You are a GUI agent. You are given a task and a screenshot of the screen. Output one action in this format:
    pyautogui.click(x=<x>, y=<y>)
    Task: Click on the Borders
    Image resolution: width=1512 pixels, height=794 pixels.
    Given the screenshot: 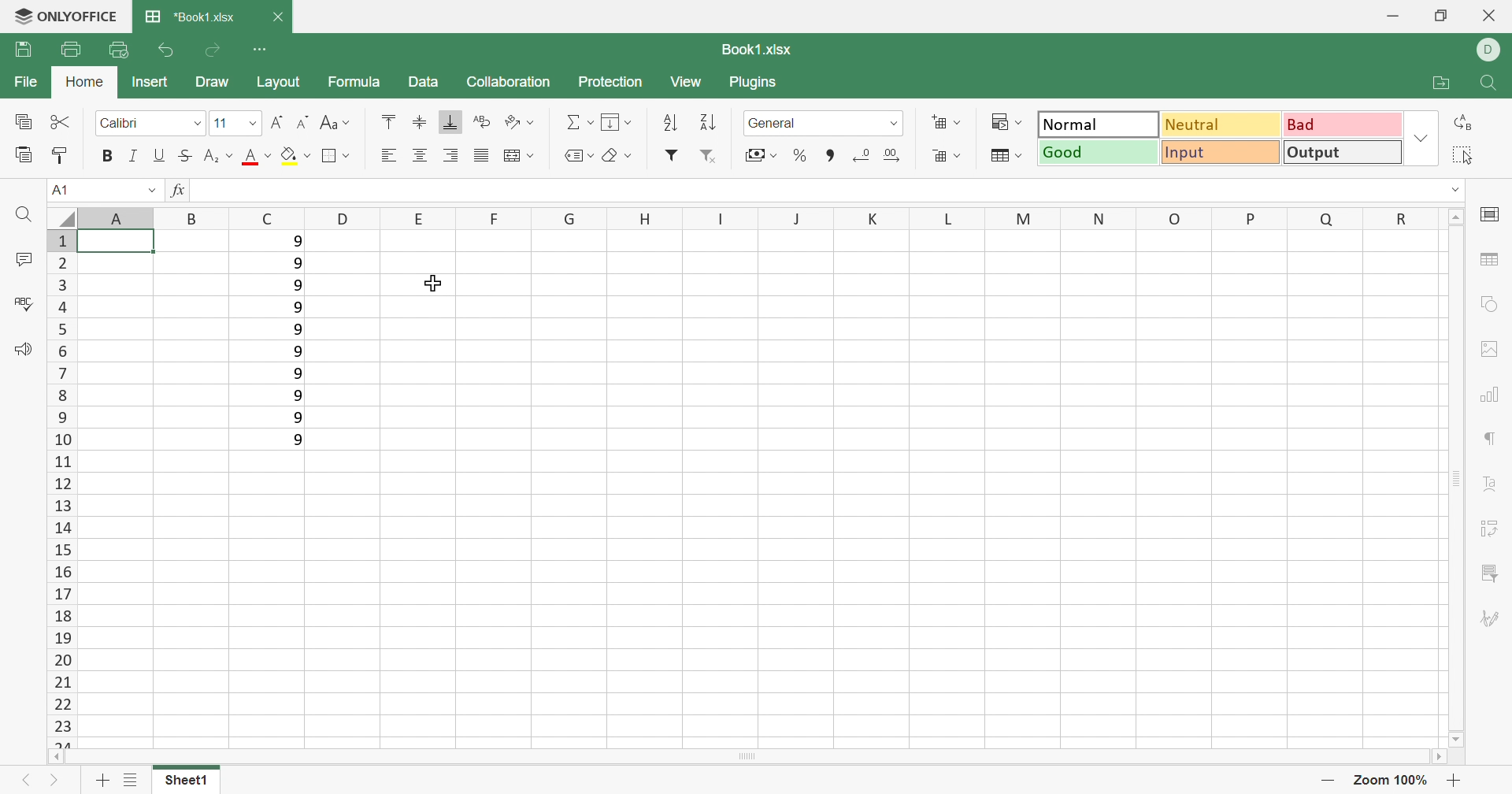 What is the action you would take?
    pyautogui.click(x=336, y=156)
    